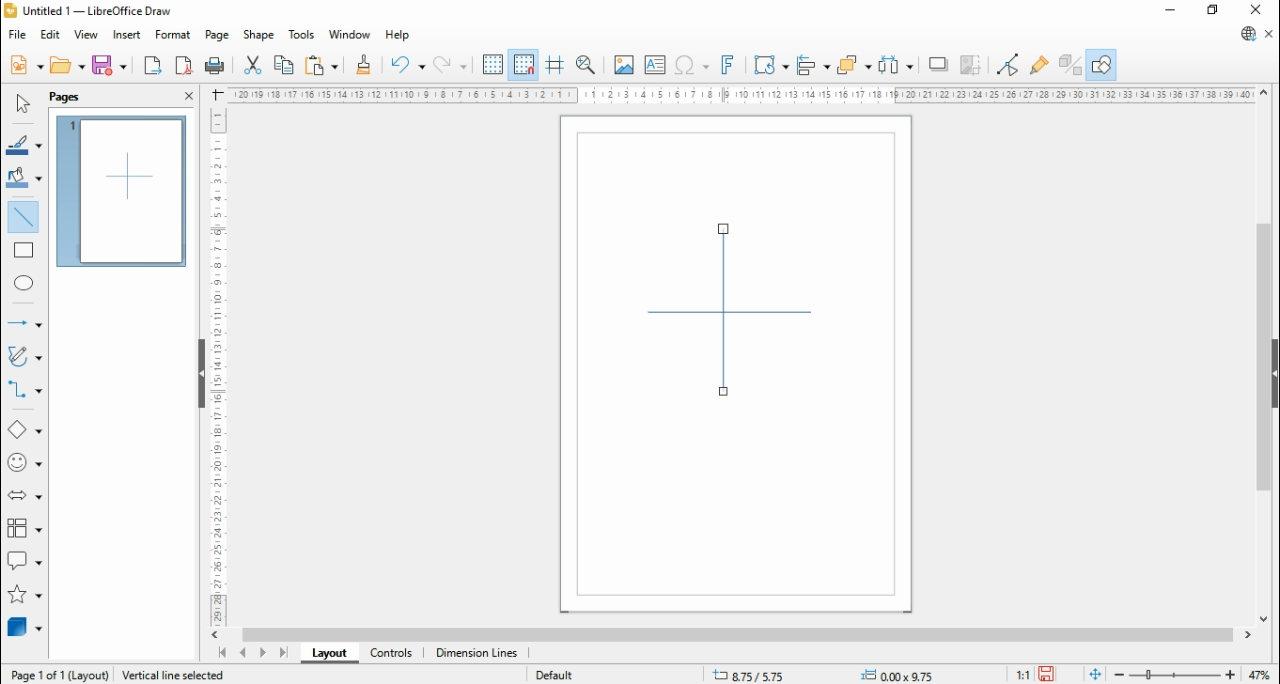 Image resolution: width=1280 pixels, height=684 pixels. Describe the element at coordinates (16, 35) in the screenshot. I see `file` at that location.